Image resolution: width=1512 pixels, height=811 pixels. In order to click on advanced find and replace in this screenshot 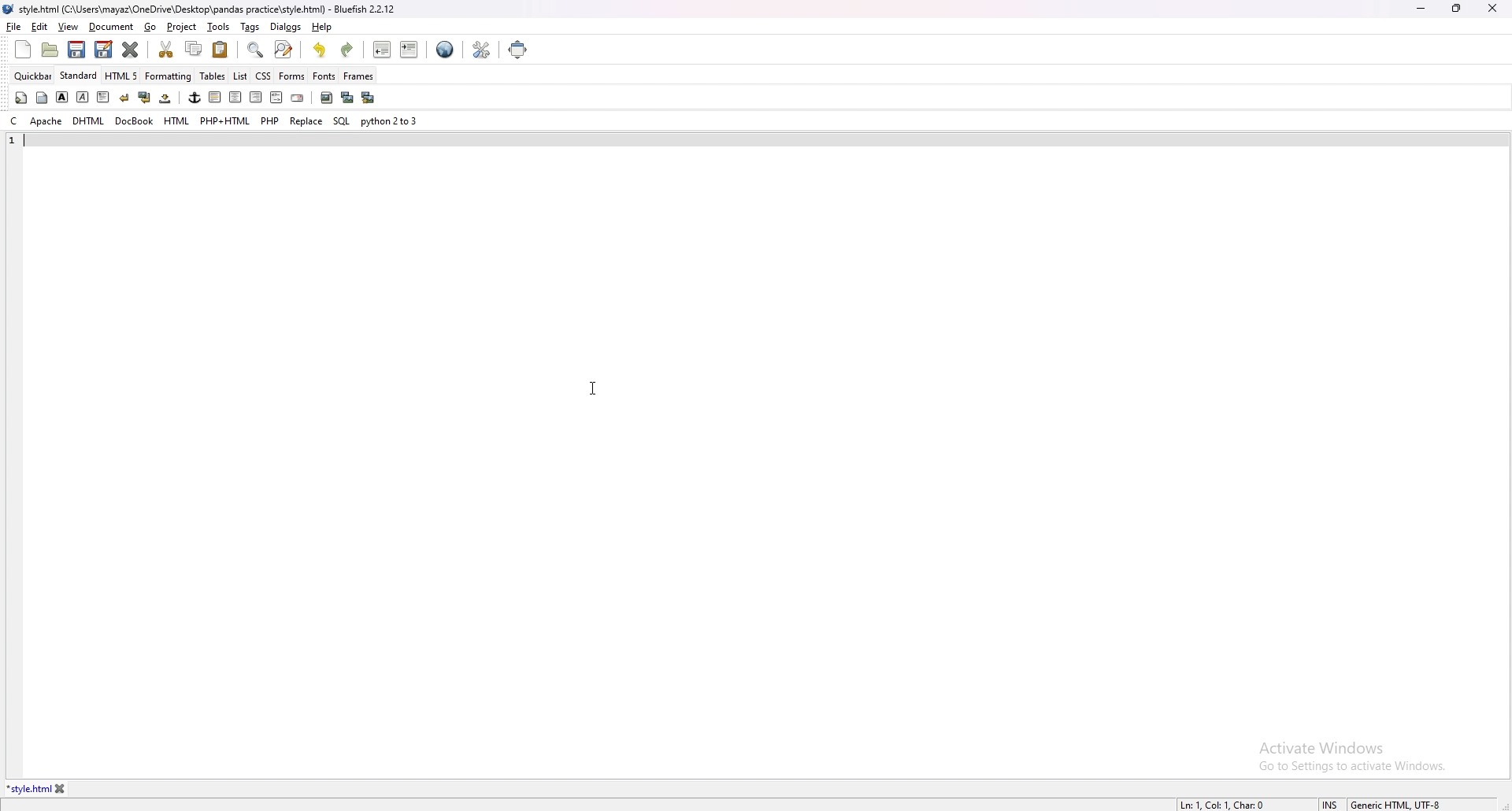, I will do `click(283, 49)`.